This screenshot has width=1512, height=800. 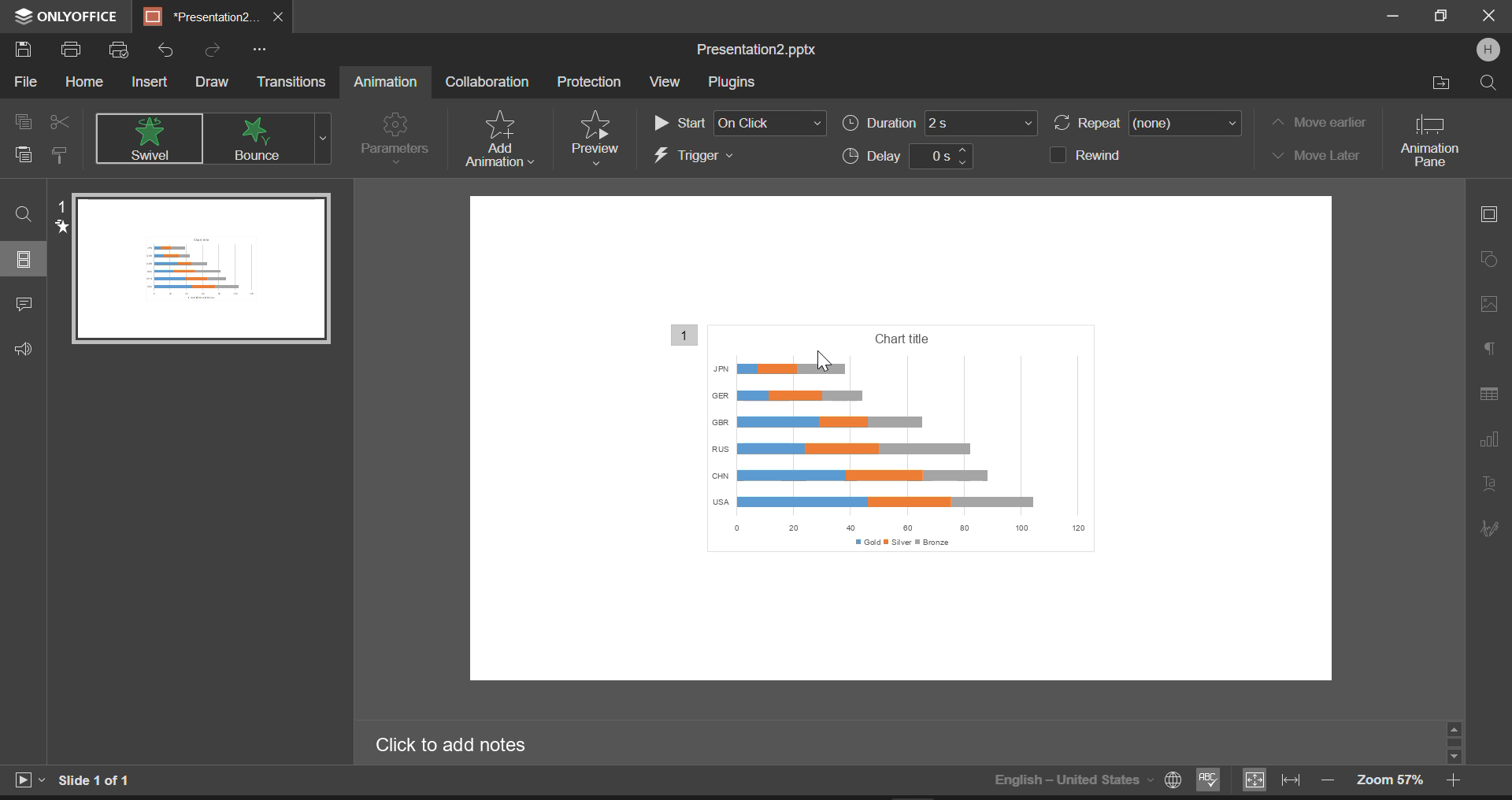 What do you see at coordinates (1442, 83) in the screenshot?
I see `Open file Location` at bounding box center [1442, 83].